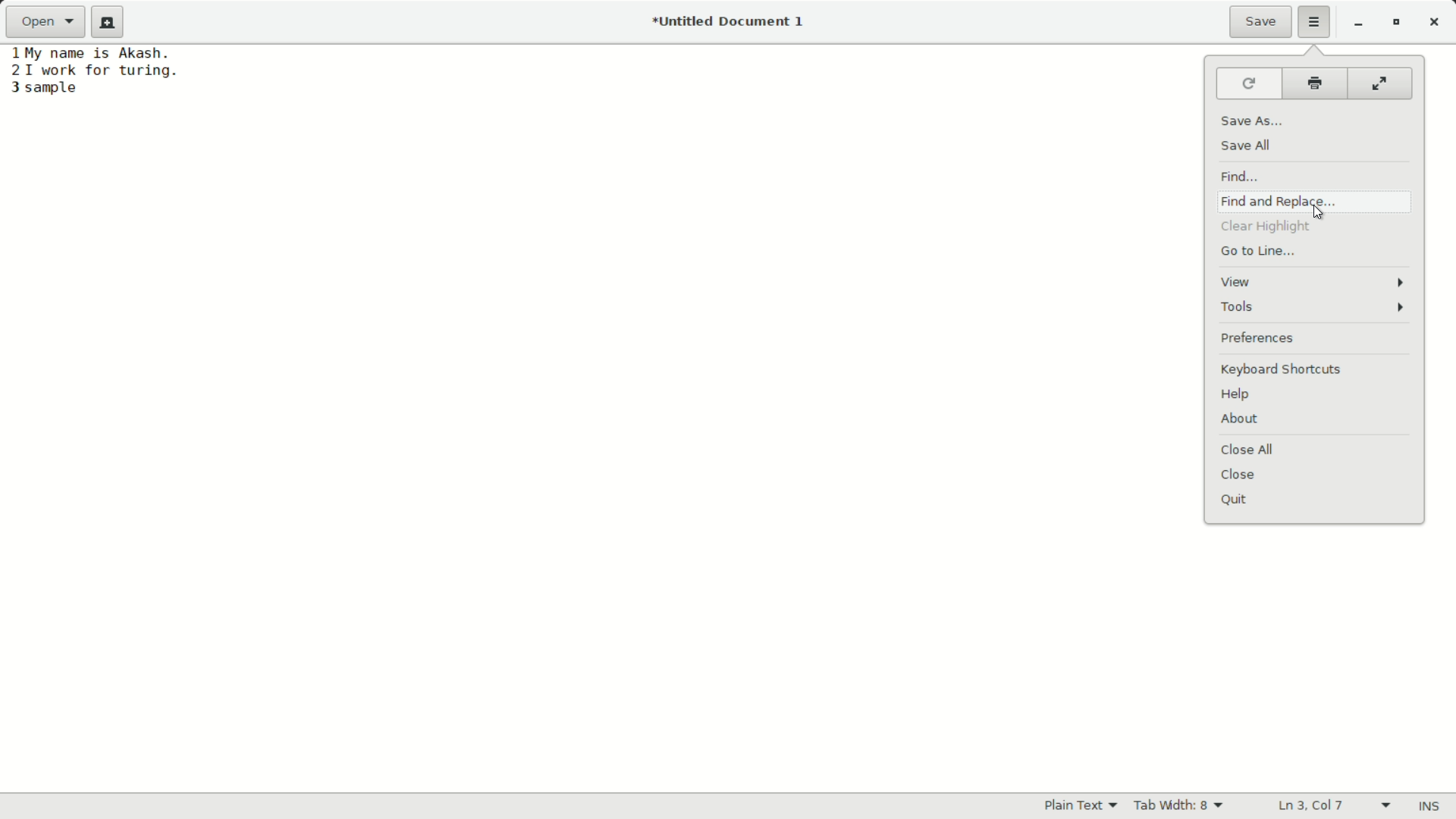  Describe the element at coordinates (728, 24) in the screenshot. I see `*Untitled Document 1` at that location.